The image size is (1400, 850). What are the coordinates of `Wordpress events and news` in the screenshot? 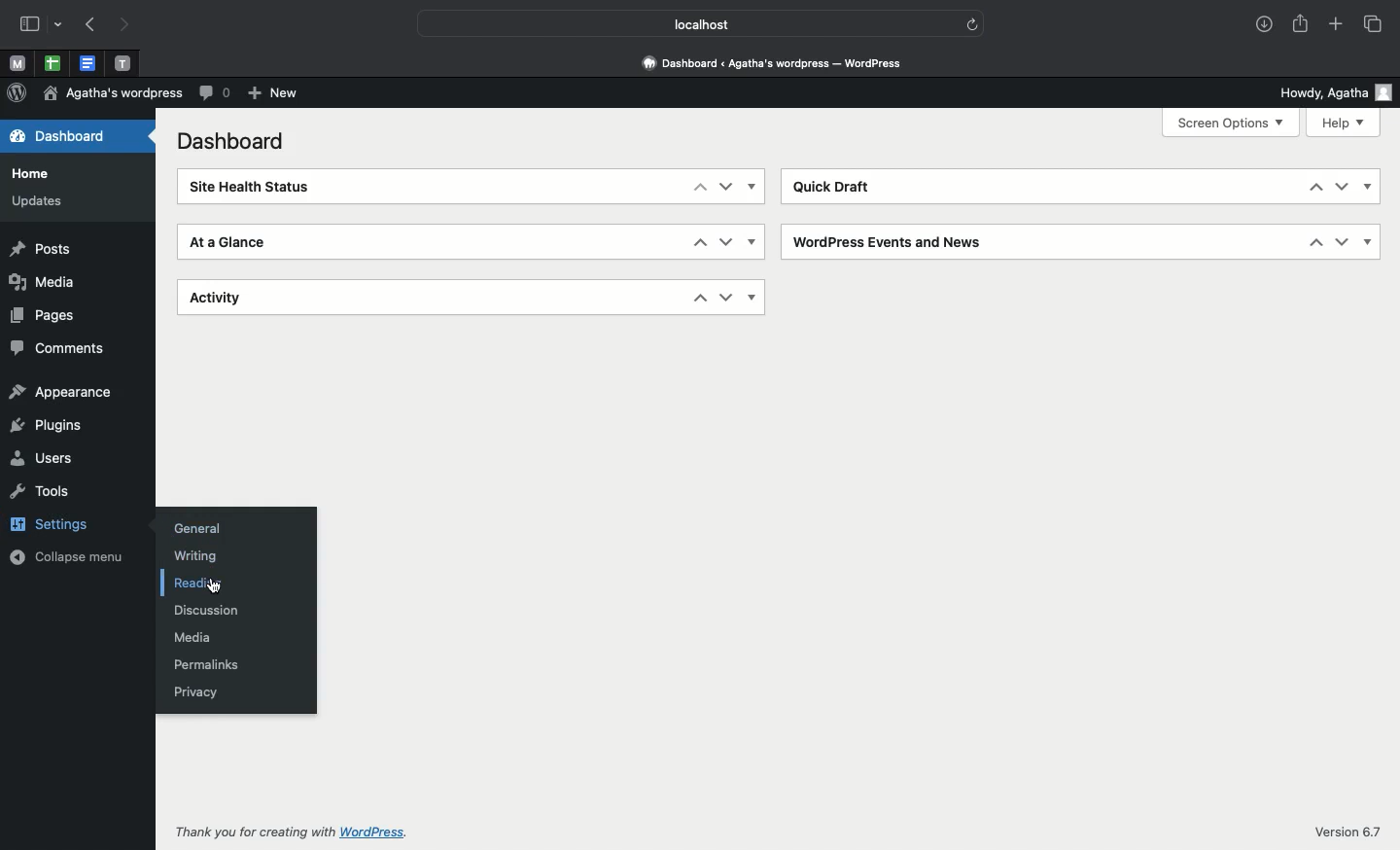 It's located at (892, 243).